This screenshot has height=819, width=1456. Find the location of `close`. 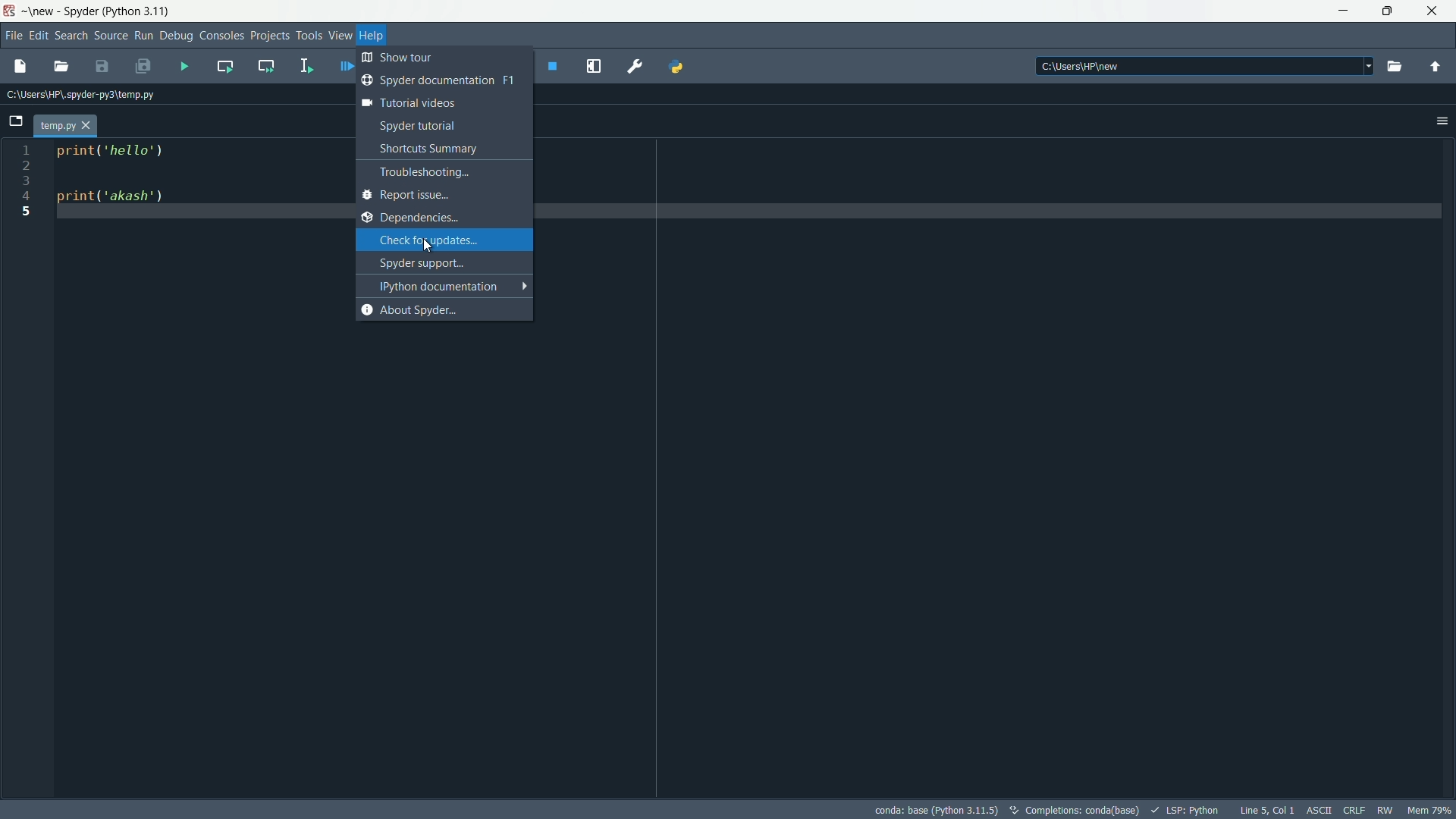

close is located at coordinates (89, 125).